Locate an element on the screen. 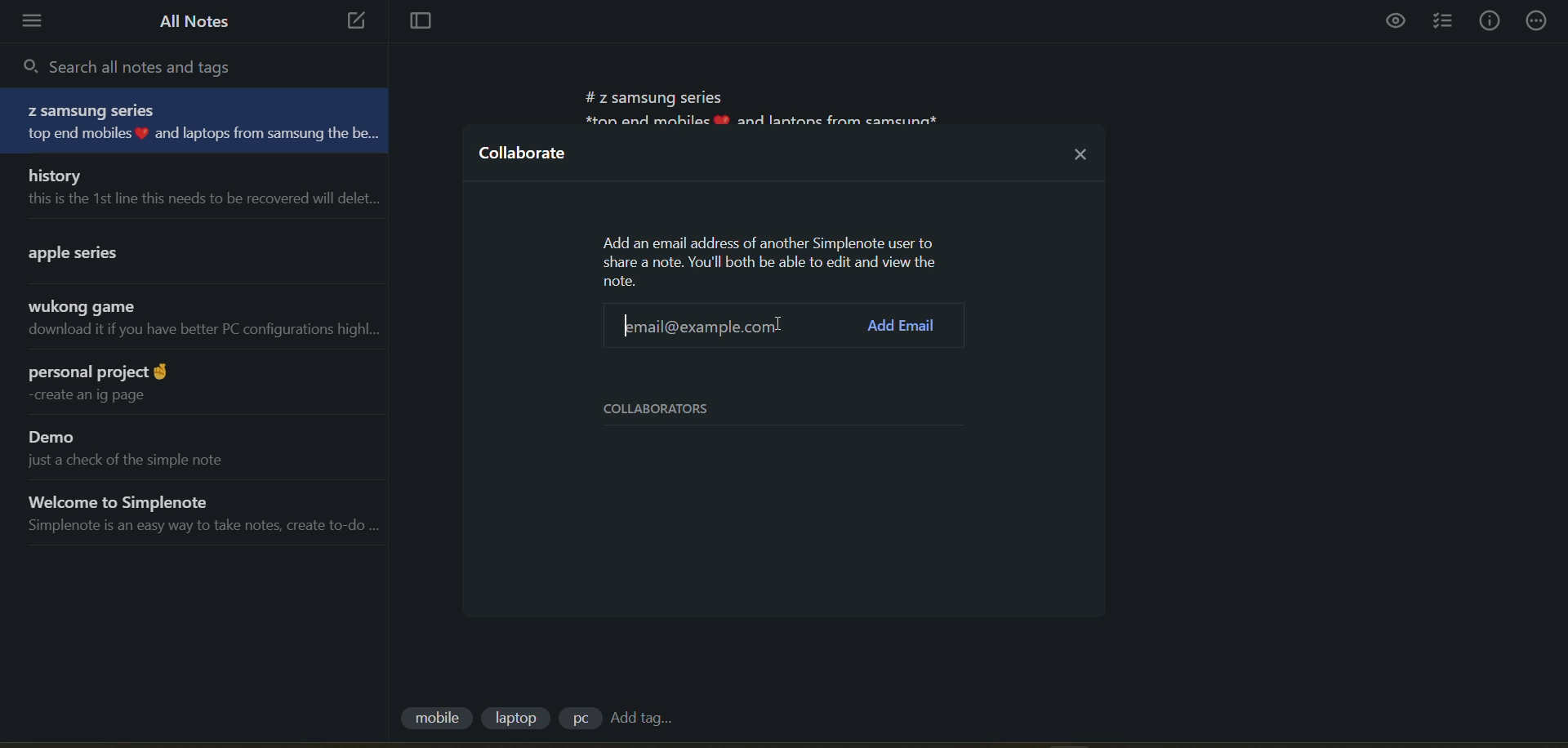 The image size is (1568, 748). cursor is located at coordinates (775, 324).